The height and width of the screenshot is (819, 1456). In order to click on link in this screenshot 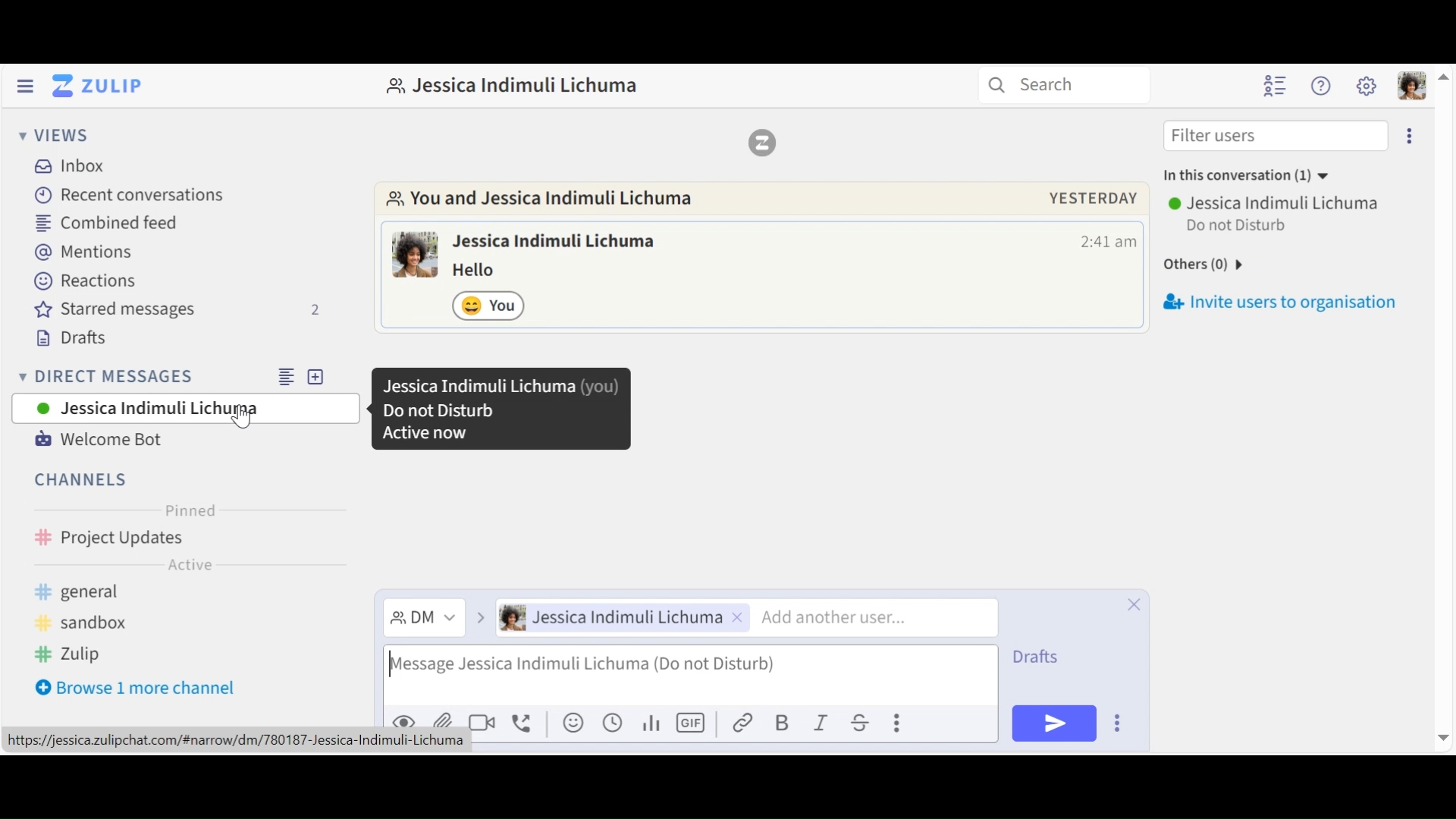, I will do `click(745, 723)`.